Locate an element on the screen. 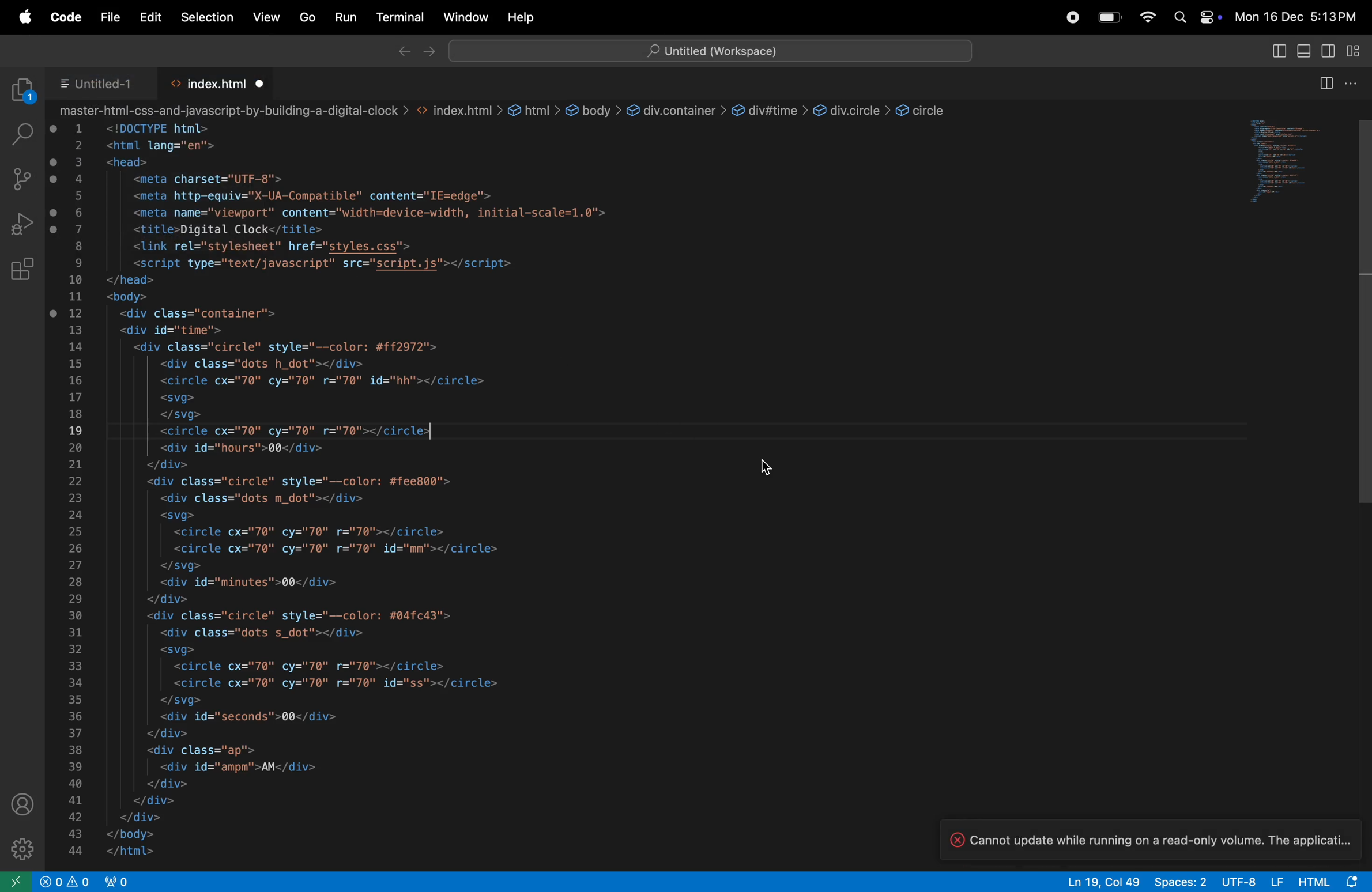  numbers is located at coordinates (77, 492).